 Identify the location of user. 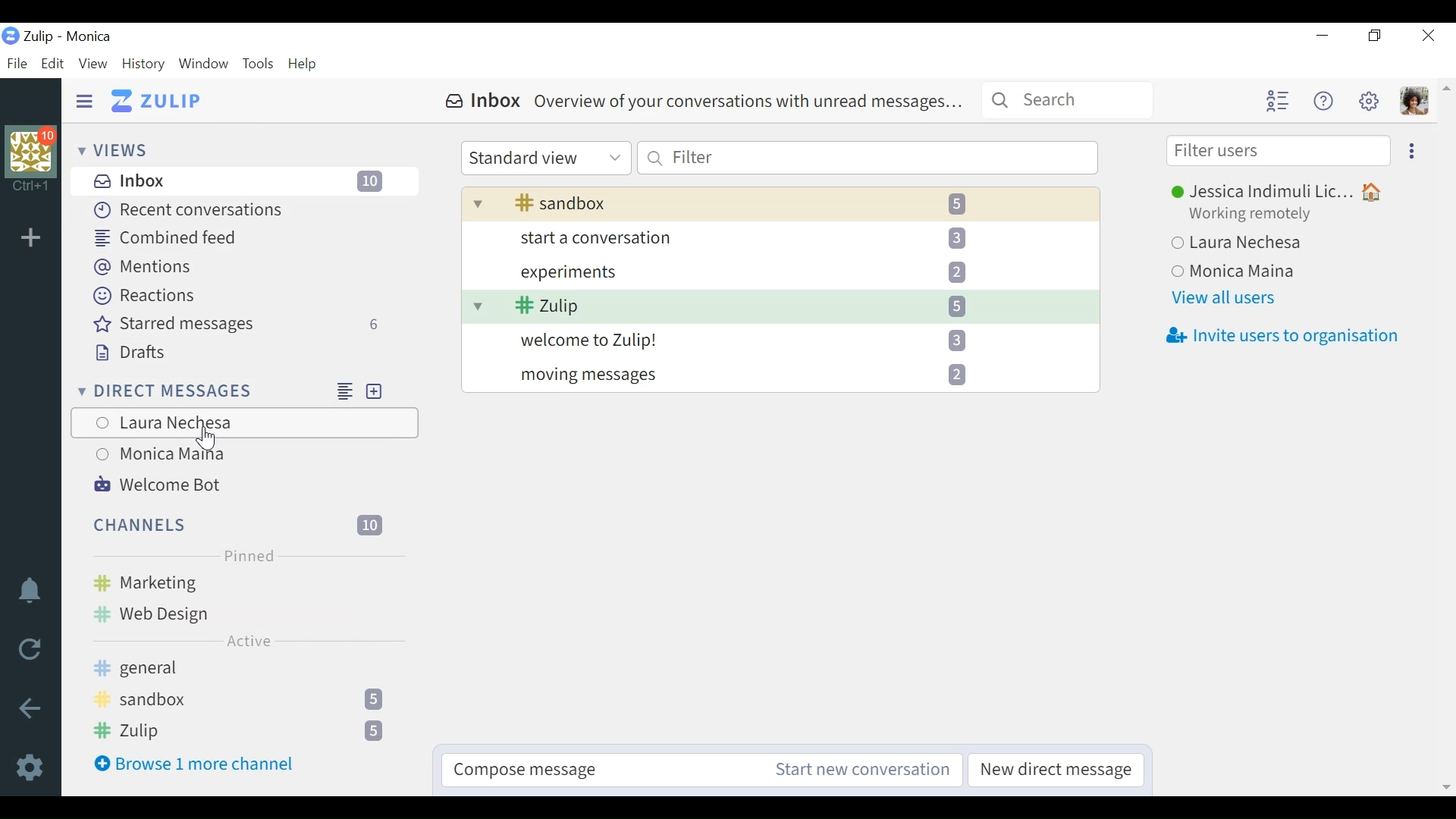
(209, 441).